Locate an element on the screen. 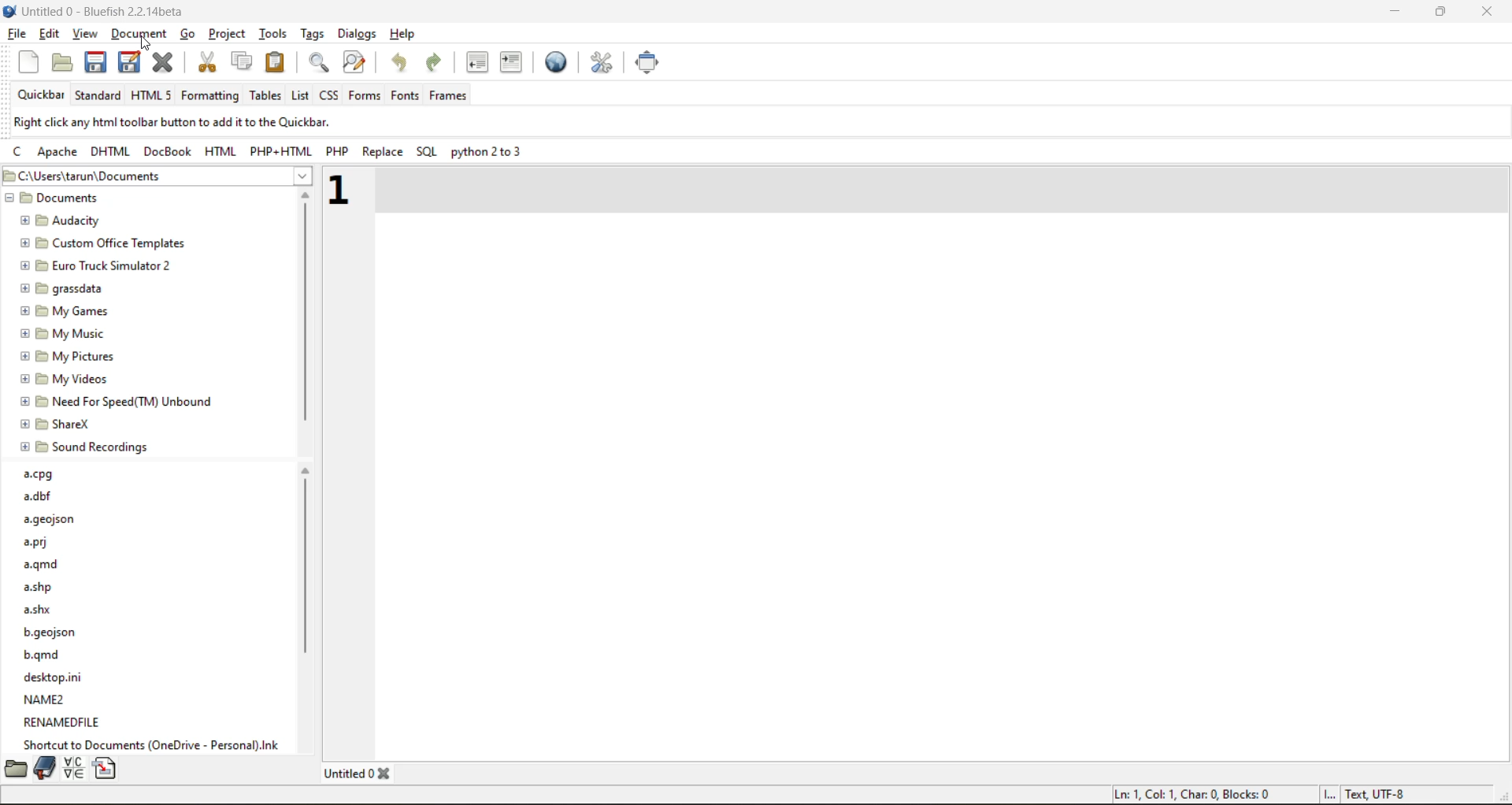 Image resolution: width=1512 pixels, height=805 pixels. html is located at coordinates (217, 150).